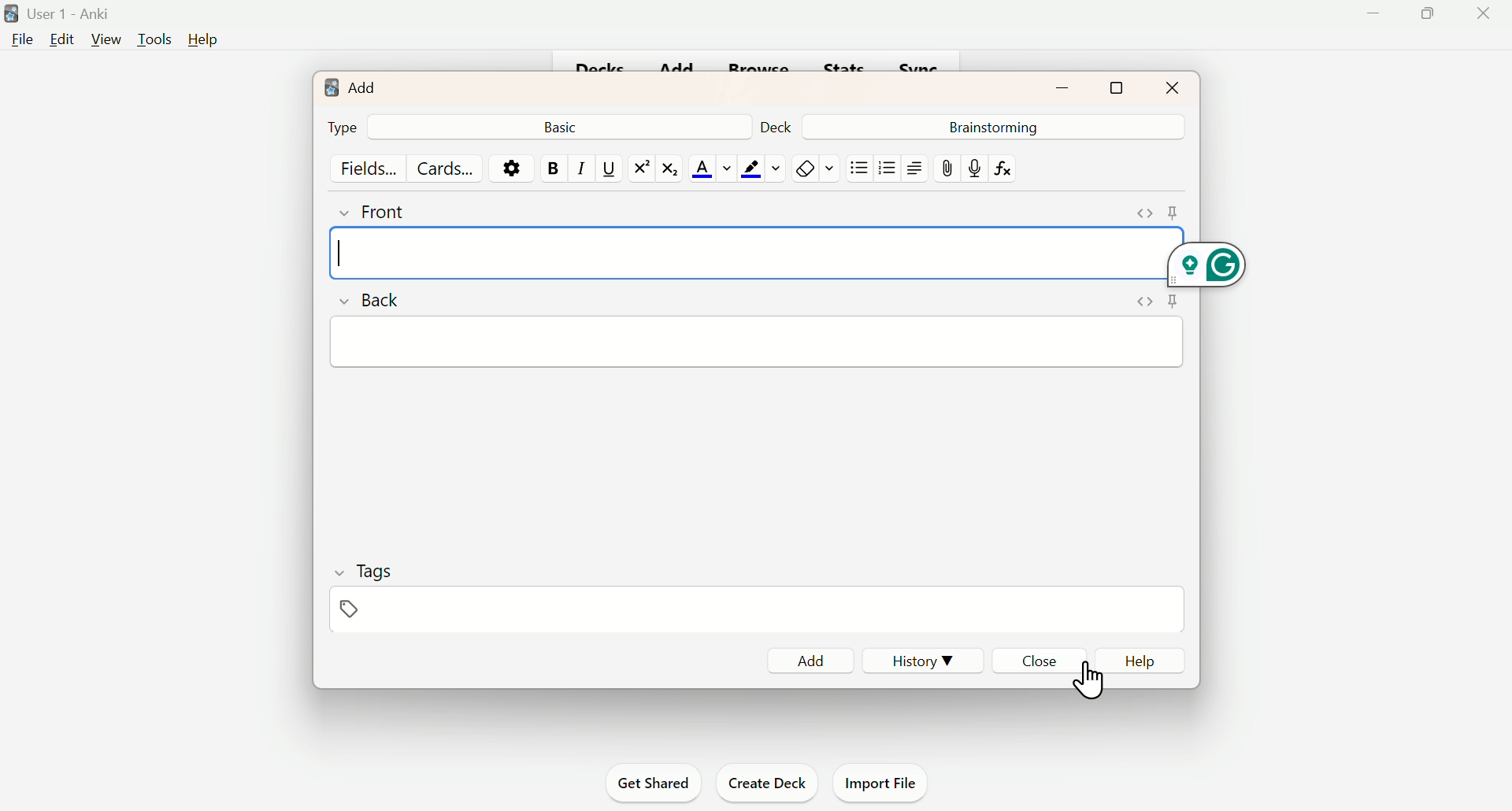 Image resolution: width=1512 pixels, height=811 pixels. Describe the element at coordinates (673, 168) in the screenshot. I see `Subscript` at that location.